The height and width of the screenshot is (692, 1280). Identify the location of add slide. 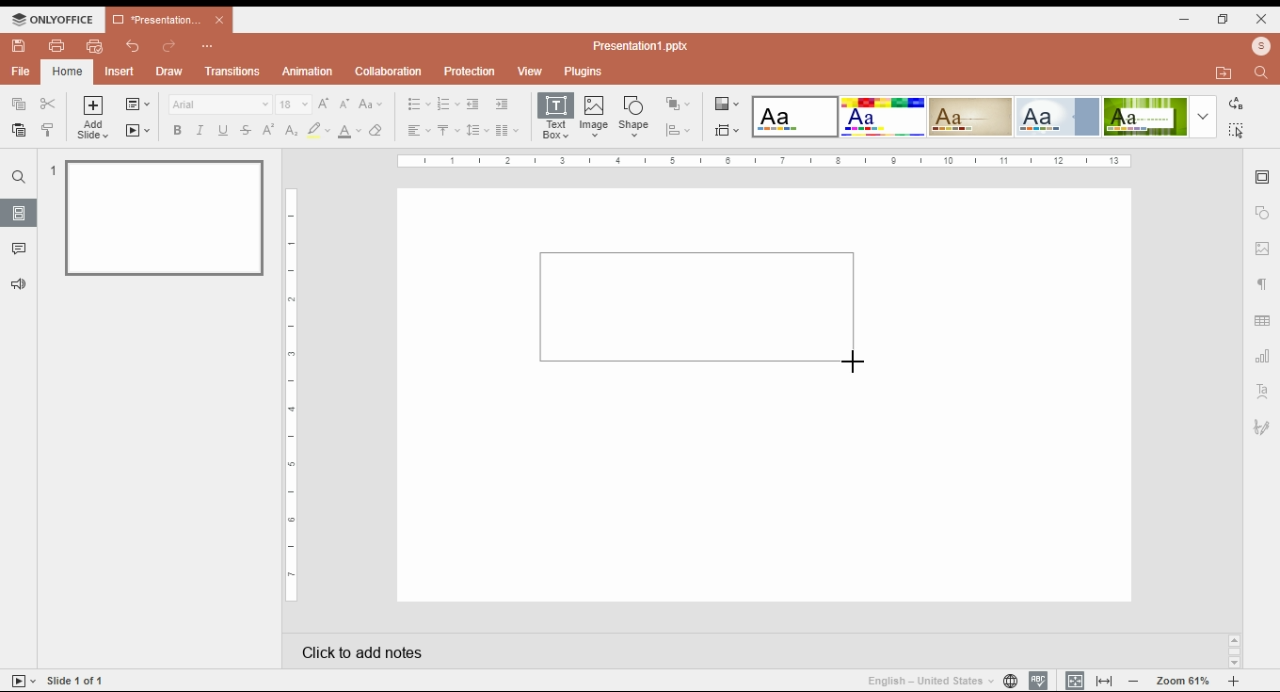
(93, 118).